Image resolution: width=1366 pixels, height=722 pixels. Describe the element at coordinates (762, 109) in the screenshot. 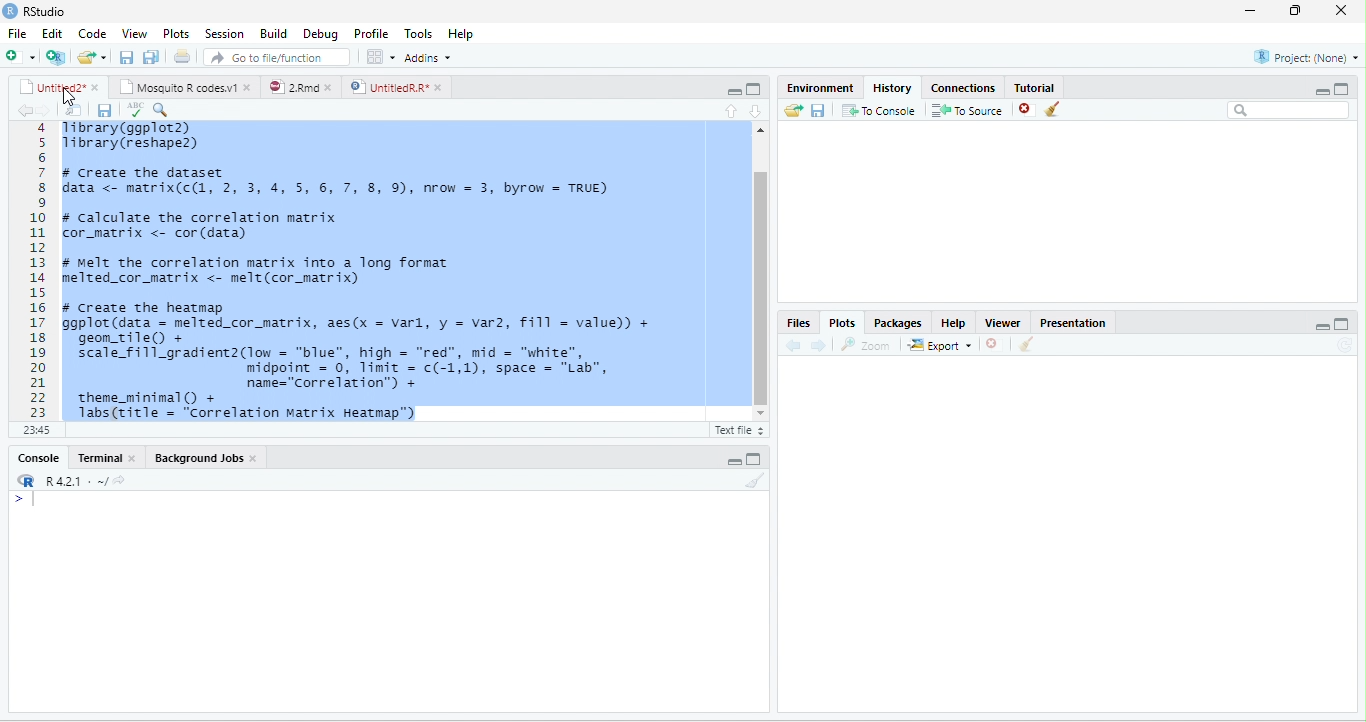

I see `` at that location.